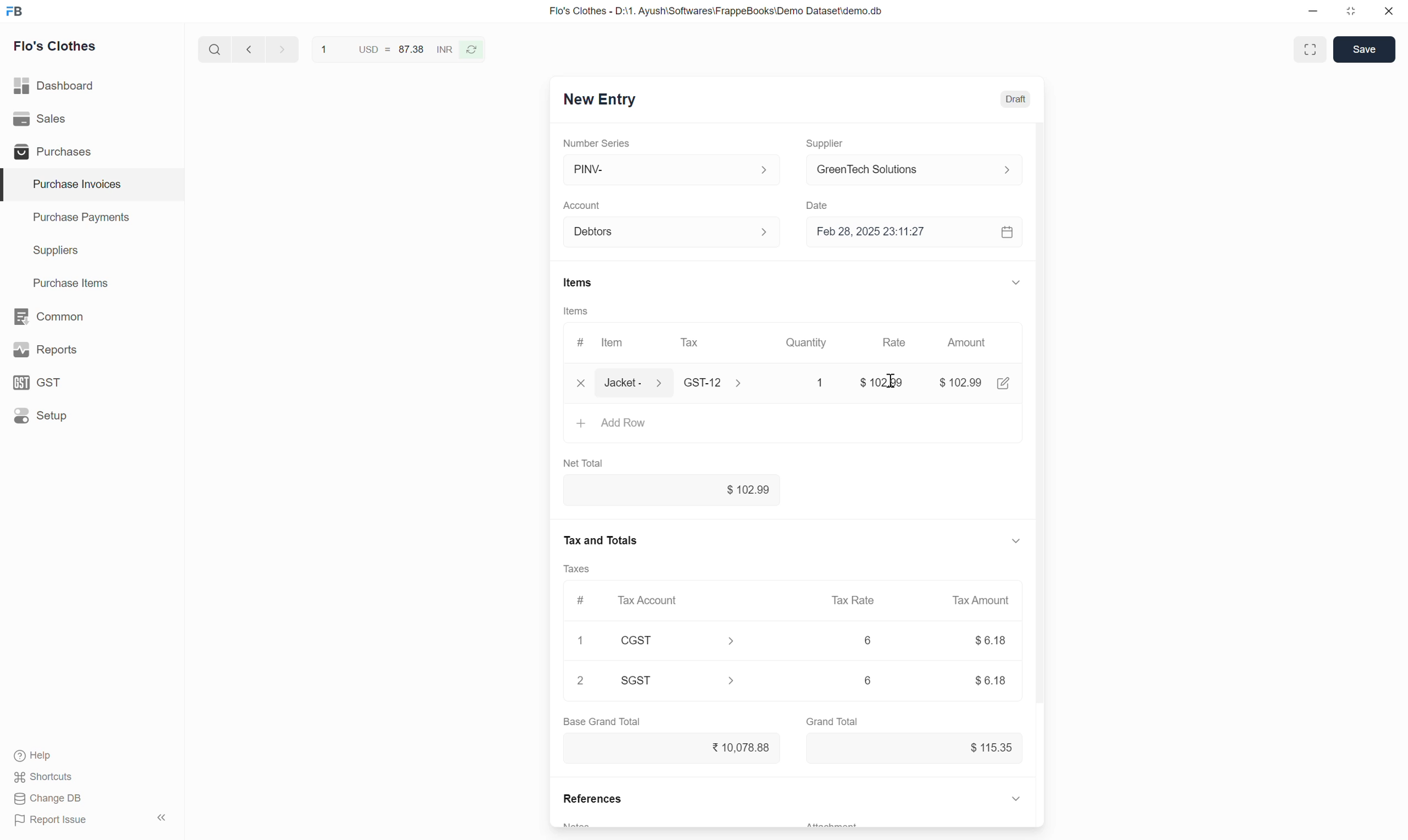  What do you see at coordinates (868, 680) in the screenshot?
I see `6` at bounding box center [868, 680].